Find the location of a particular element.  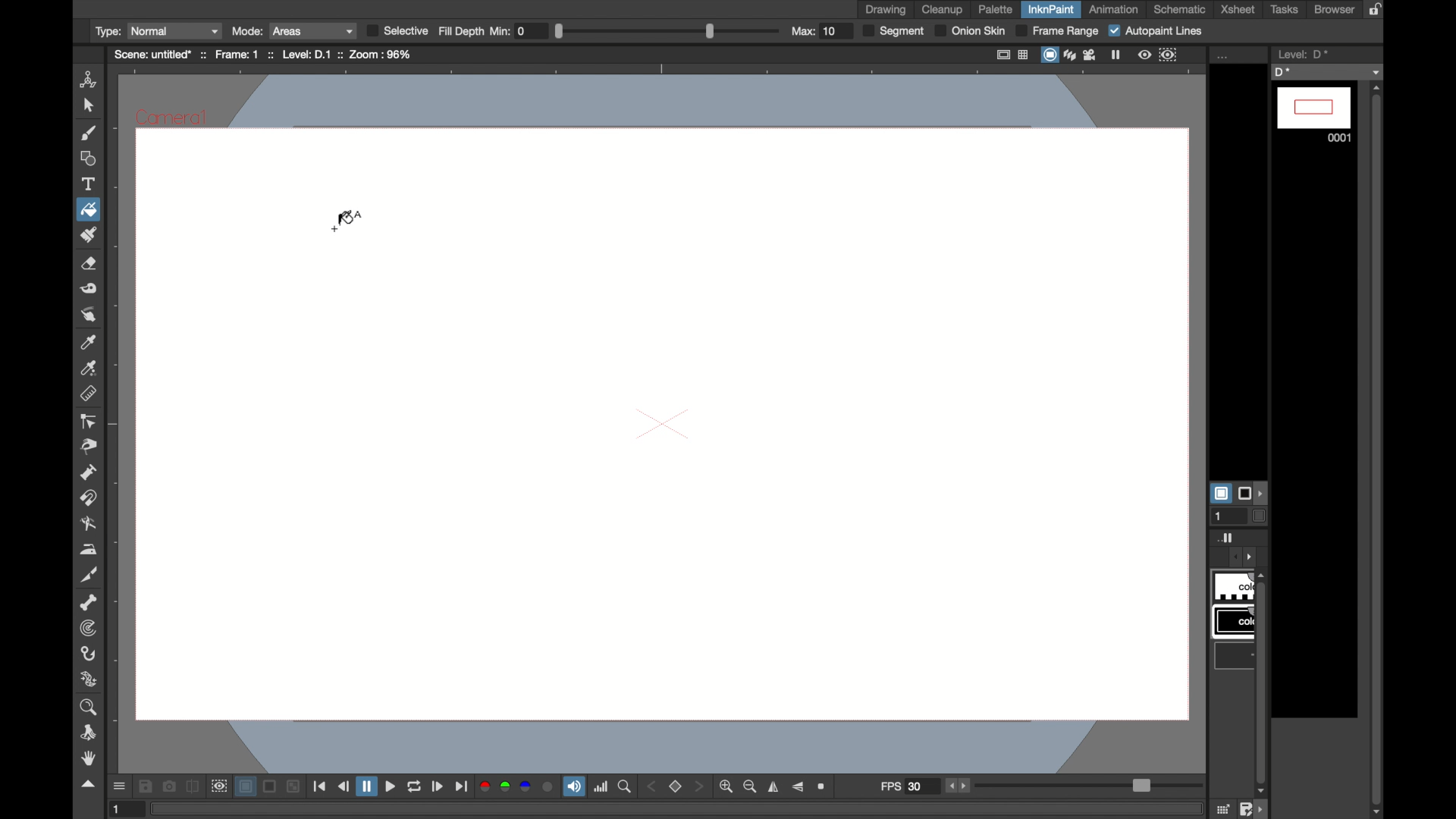

open gui is located at coordinates (121, 786).